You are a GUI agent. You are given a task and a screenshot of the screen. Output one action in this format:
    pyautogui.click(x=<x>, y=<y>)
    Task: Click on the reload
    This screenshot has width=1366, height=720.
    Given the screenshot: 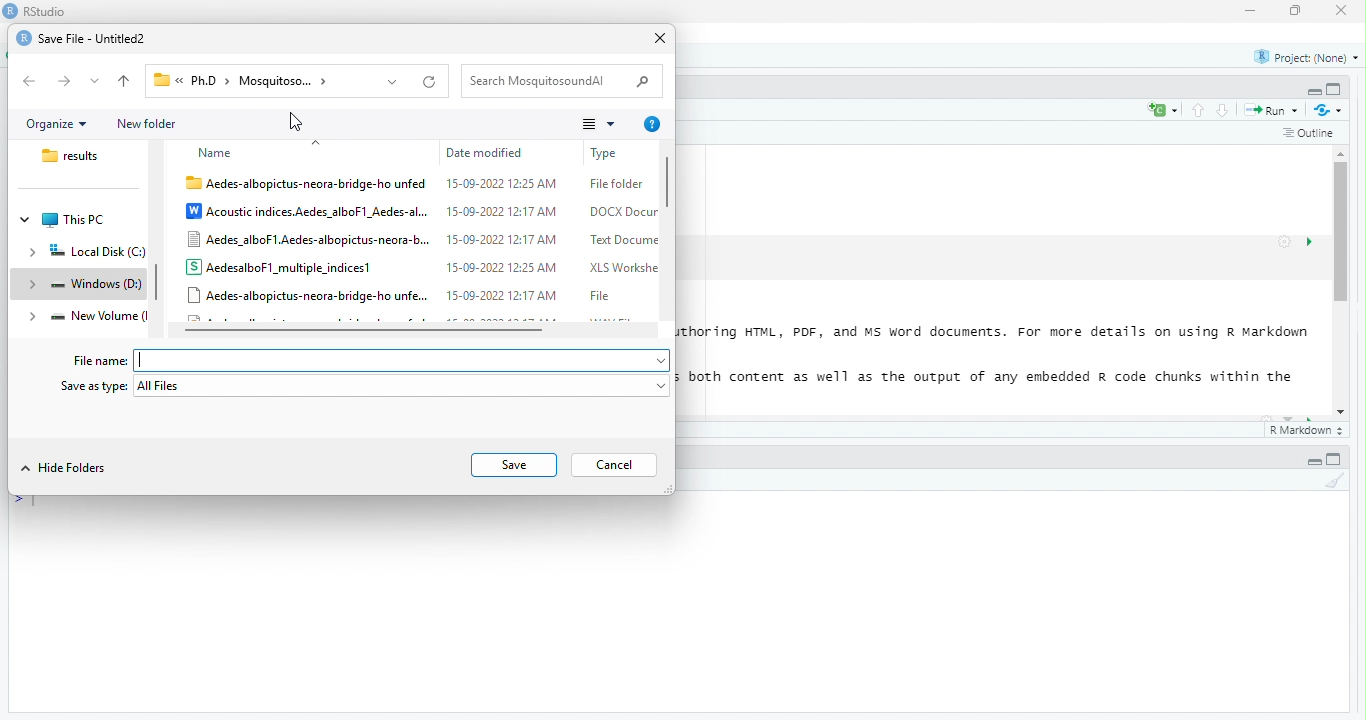 What is the action you would take?
    pyautogui.click(x=431, y=82)
    